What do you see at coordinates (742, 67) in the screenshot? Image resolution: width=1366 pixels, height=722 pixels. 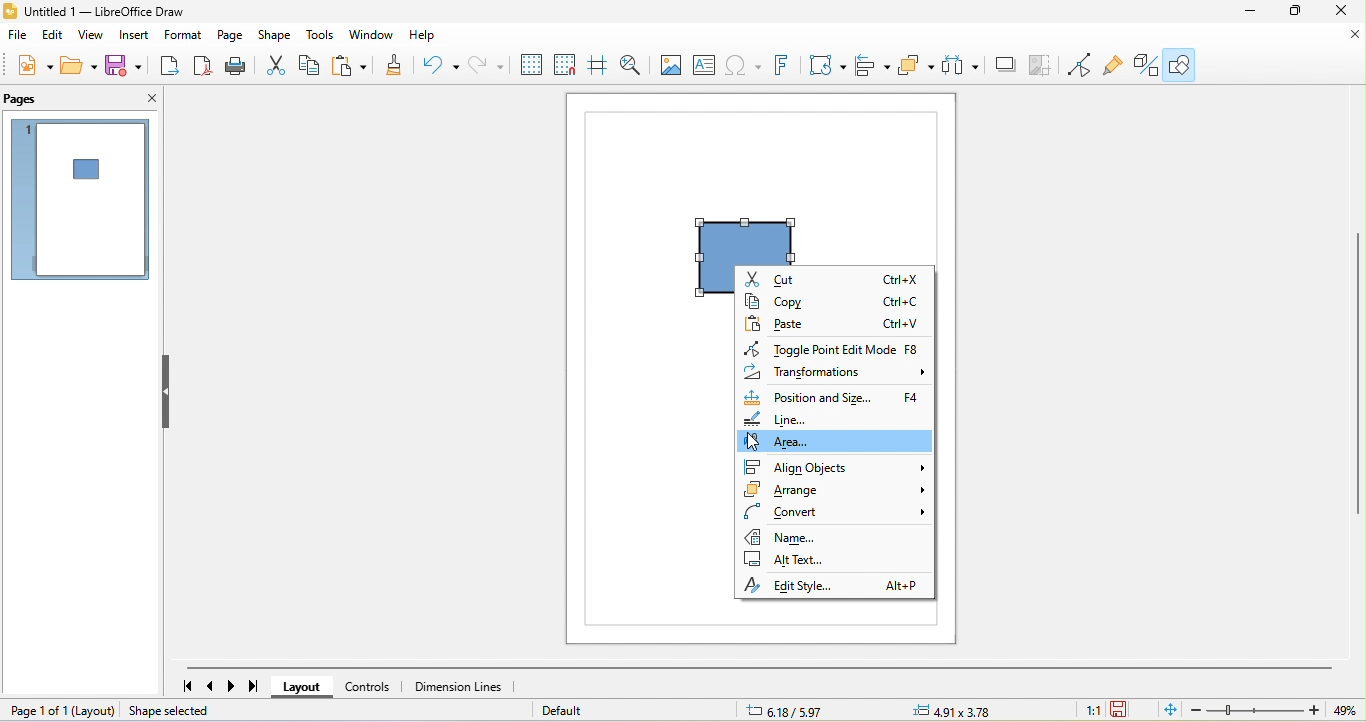 I see `special character` at bounding box center [742, 67].